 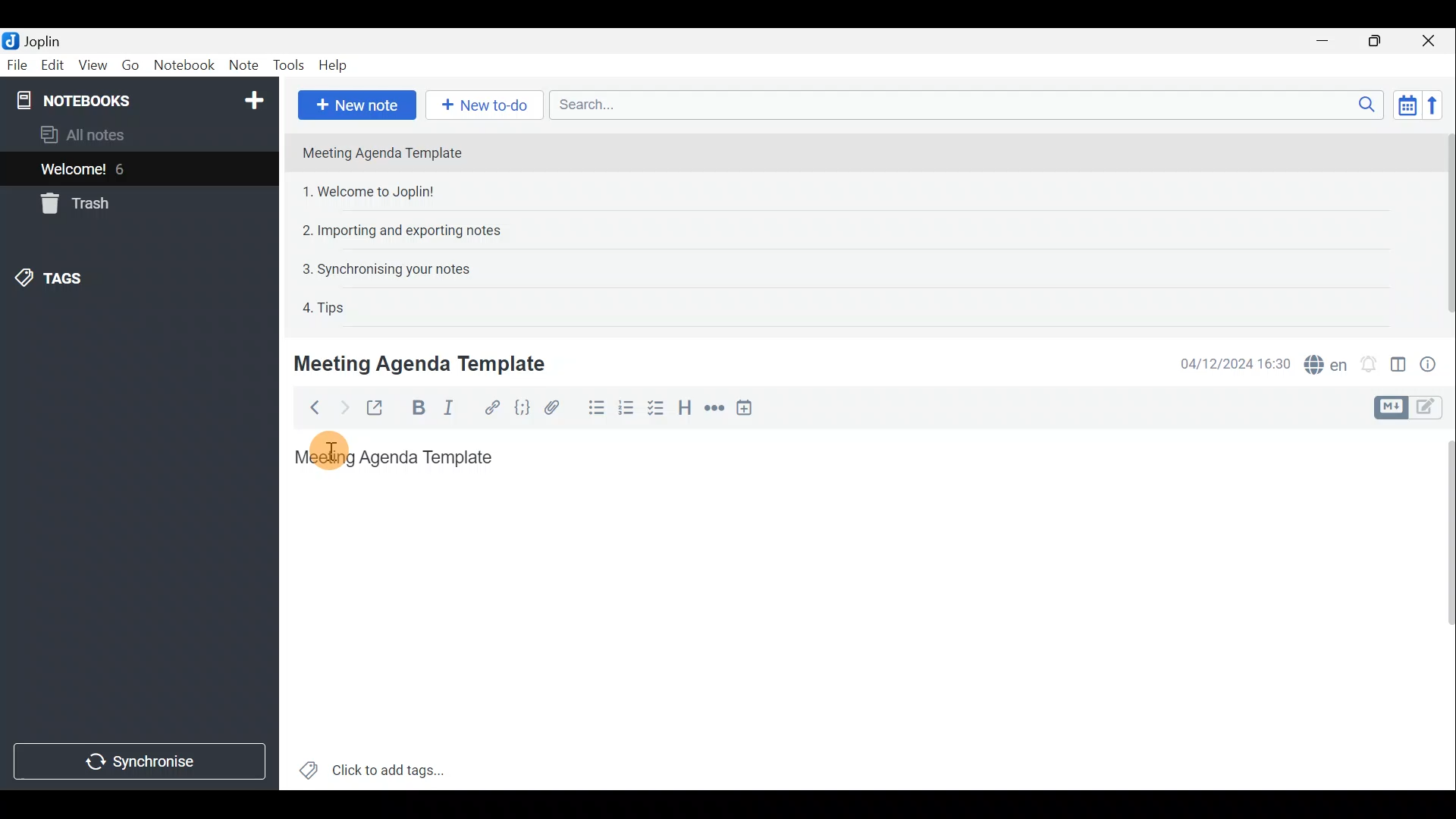 What do you see at coordinates (53, 67) in the screenshot?
I see `Edit` at bounding box center [53, 67].